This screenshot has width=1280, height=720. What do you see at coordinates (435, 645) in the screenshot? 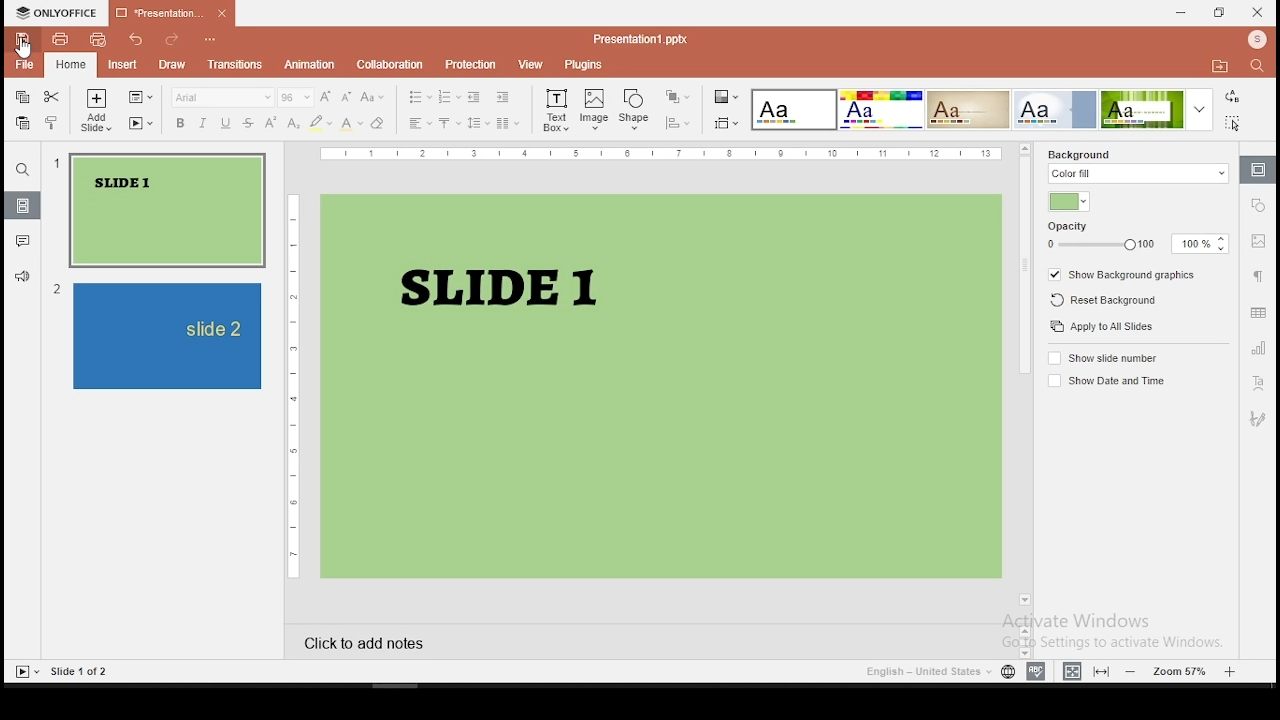
I see `click to add notes` at bounding box center [435, 645].